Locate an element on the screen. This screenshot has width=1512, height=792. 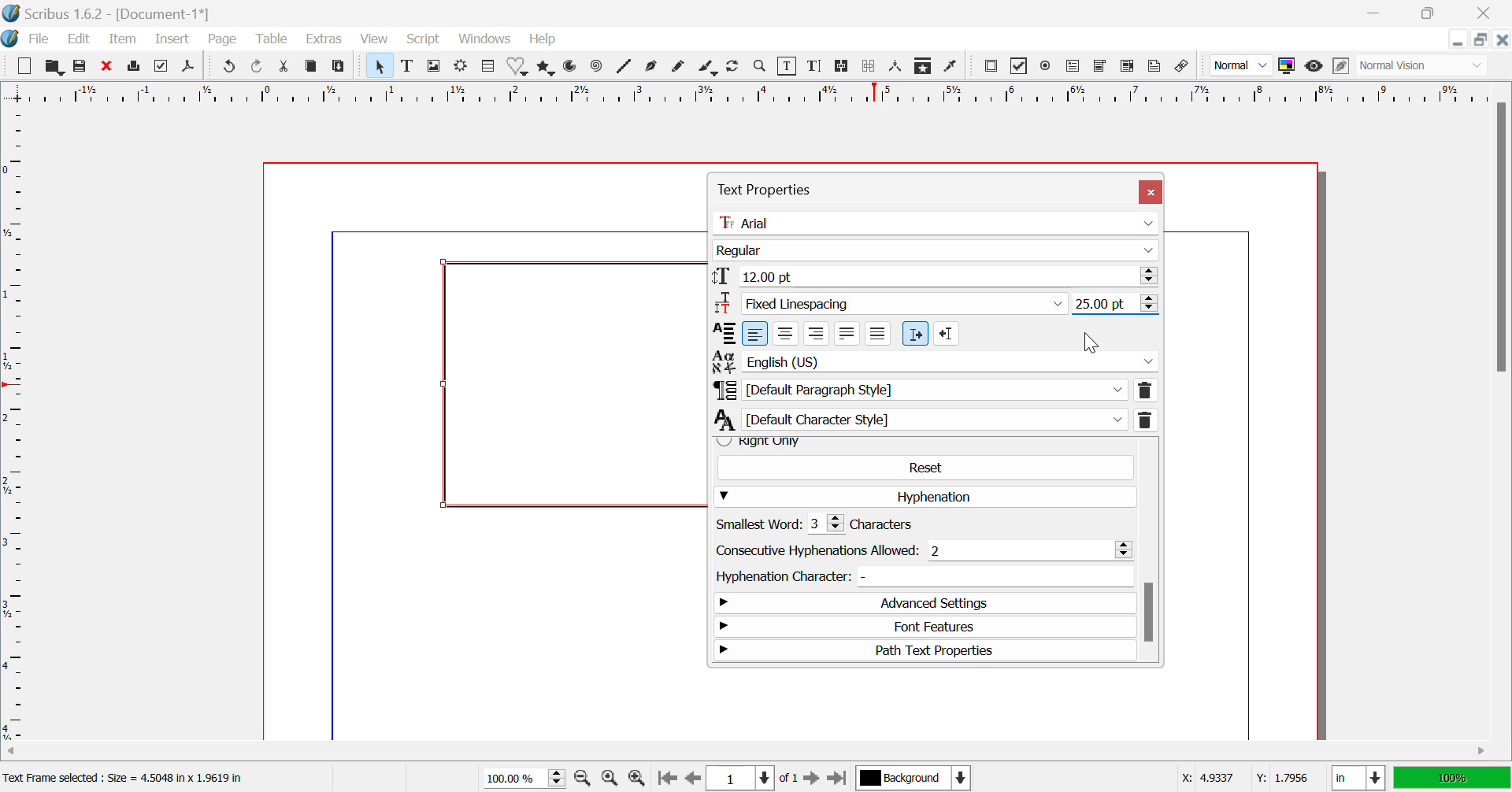
Regular is located at coordinates (936, 251).